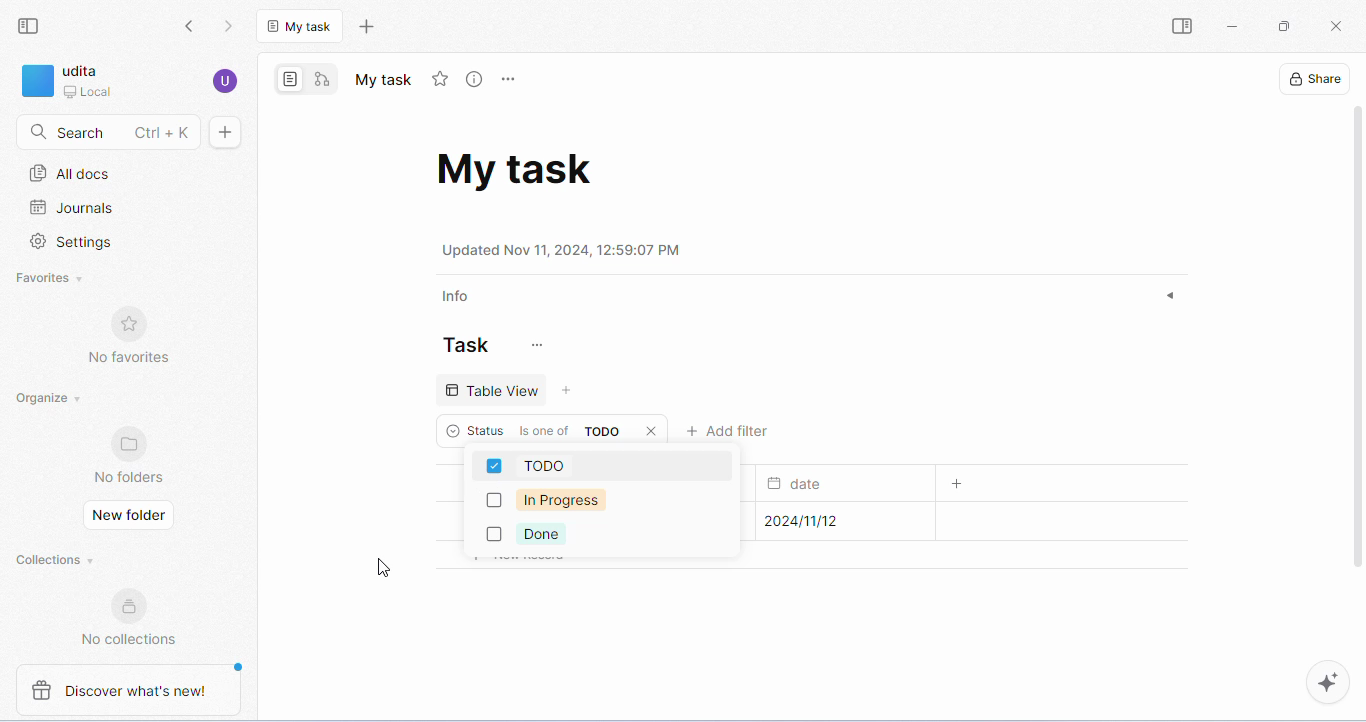 This screenshot has width=1366, height=722. What do you see at coordinates (516, 167) in the screenshot?
I see `task doc name` at bounding box center [516, 167].